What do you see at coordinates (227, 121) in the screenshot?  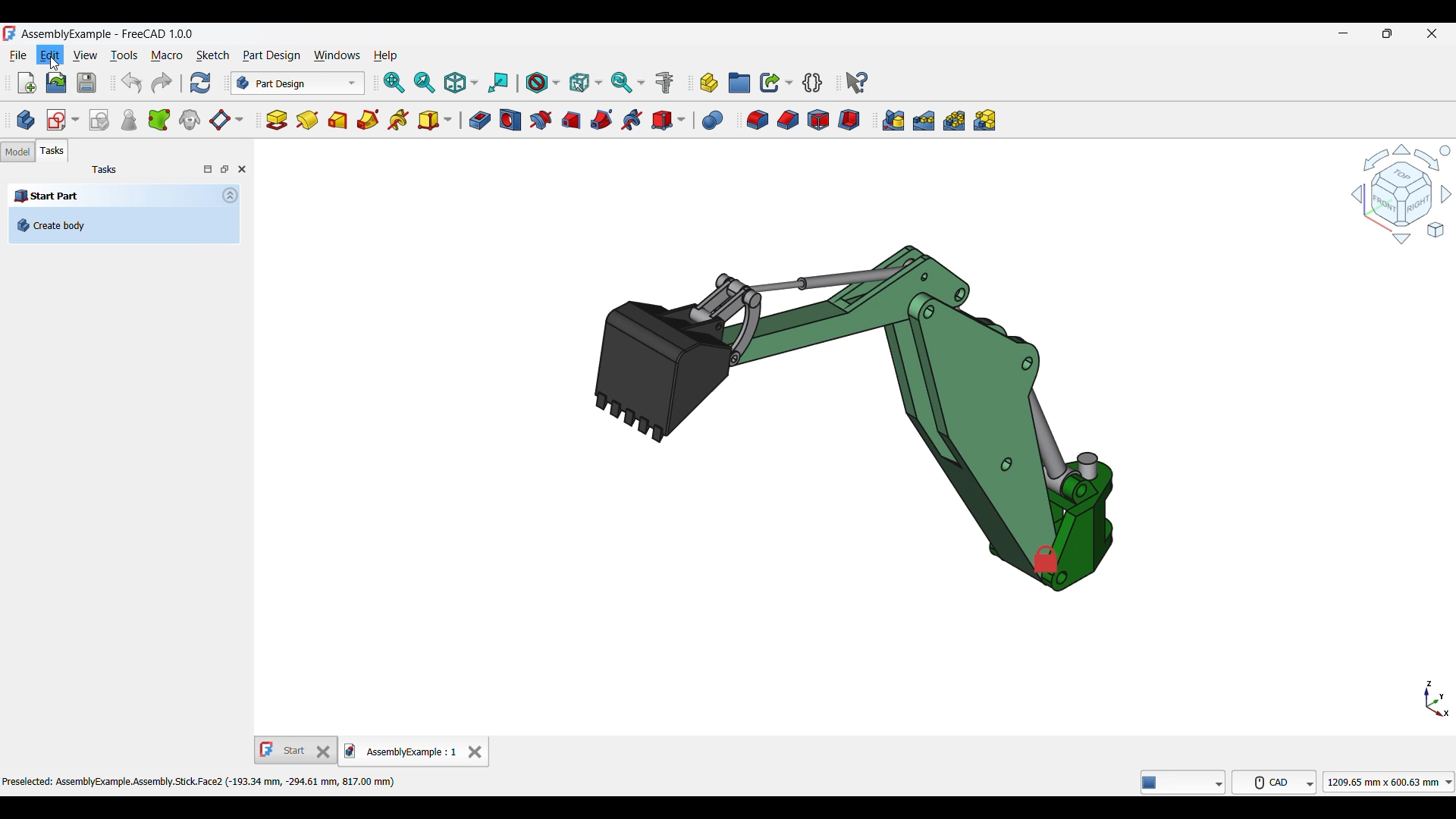 I see `Create a datum plane` at bounding box center [227, 121].